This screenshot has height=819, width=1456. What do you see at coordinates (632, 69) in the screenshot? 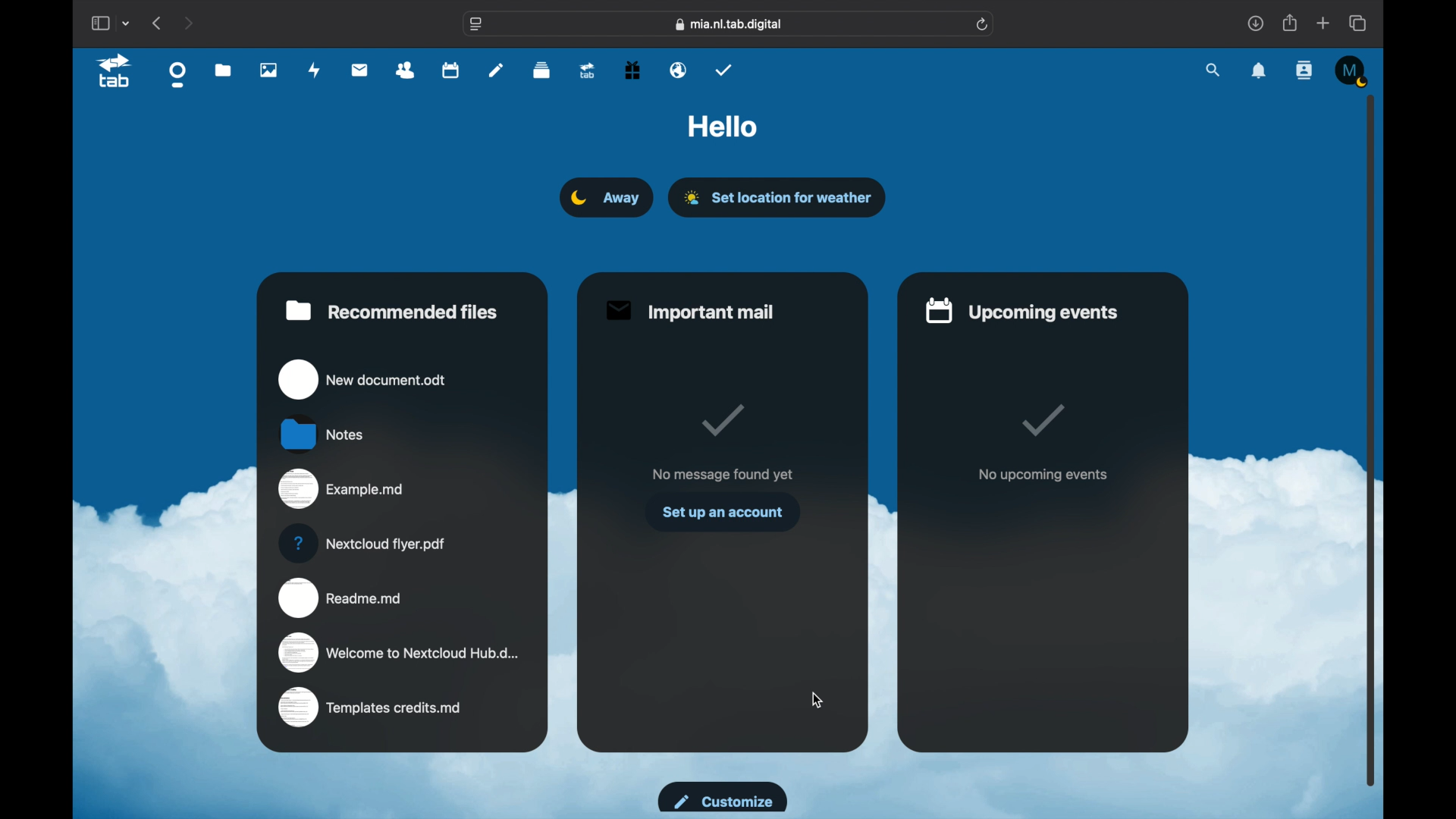
I see `free trial` at bounding box center [632, 69].